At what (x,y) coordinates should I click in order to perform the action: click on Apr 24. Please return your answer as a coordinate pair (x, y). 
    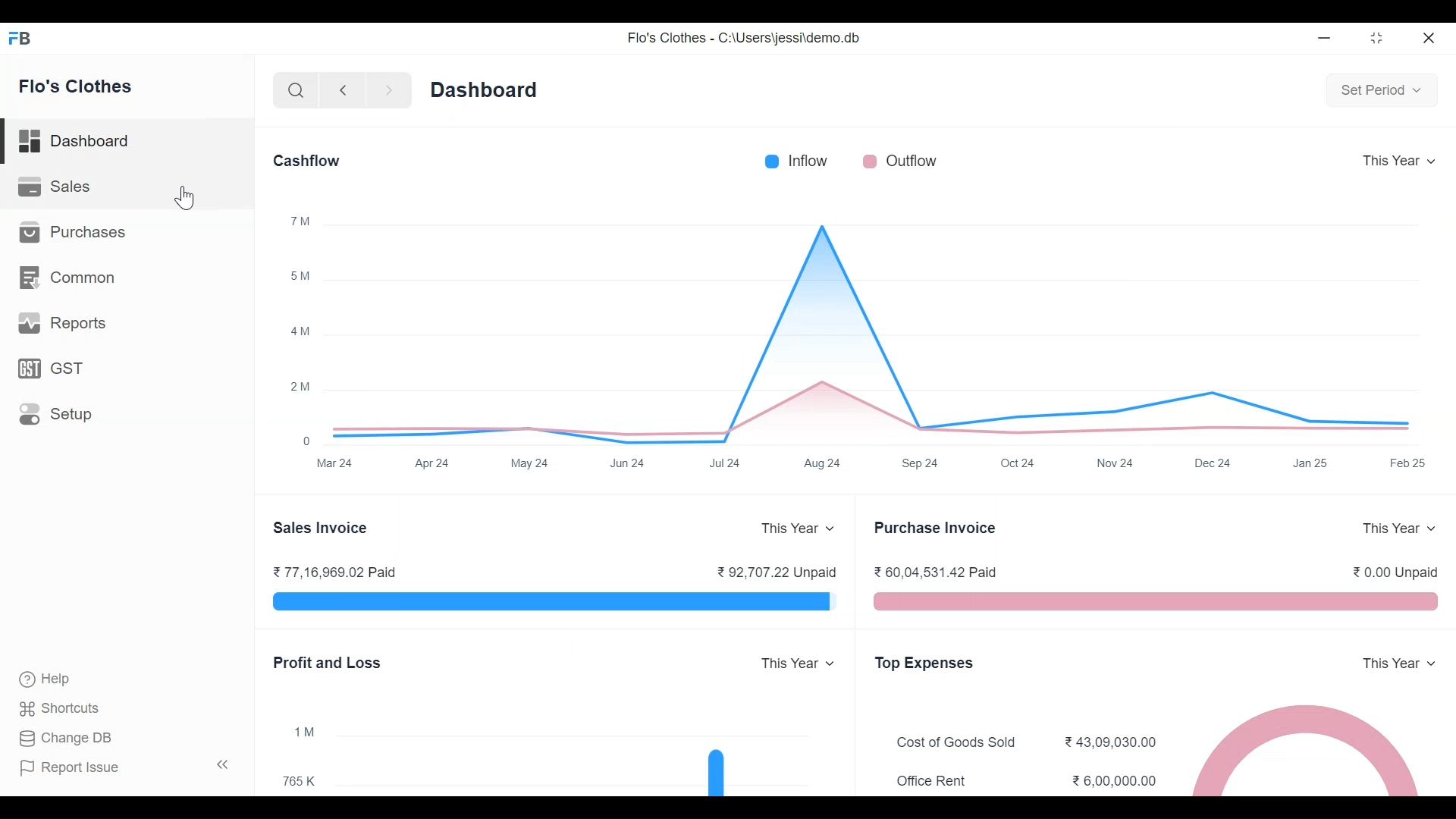
    Looking at the image, I should click on (433, 463).